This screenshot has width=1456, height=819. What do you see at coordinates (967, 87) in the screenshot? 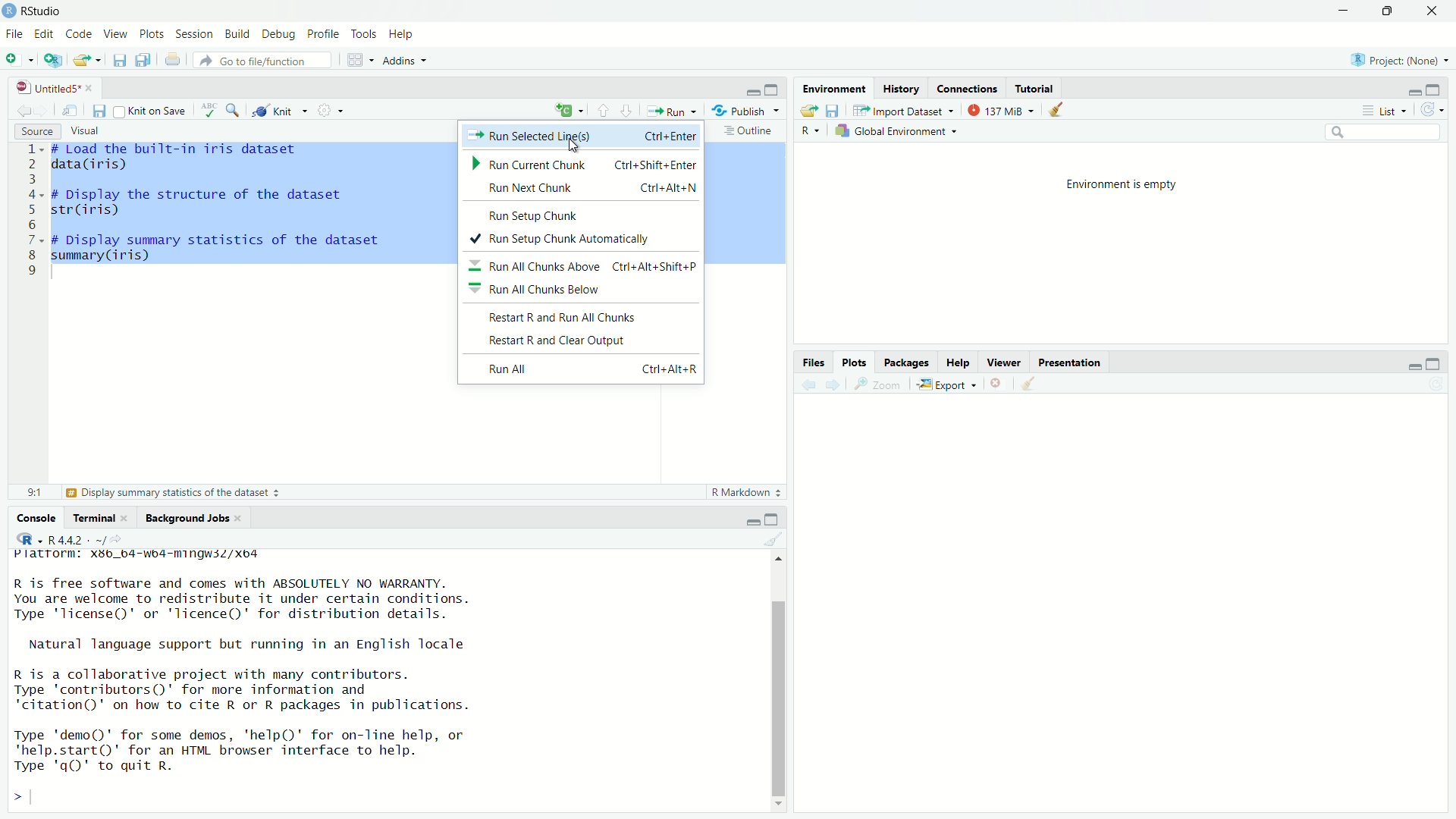
I see `Connections` at bounding box center [967, 87].